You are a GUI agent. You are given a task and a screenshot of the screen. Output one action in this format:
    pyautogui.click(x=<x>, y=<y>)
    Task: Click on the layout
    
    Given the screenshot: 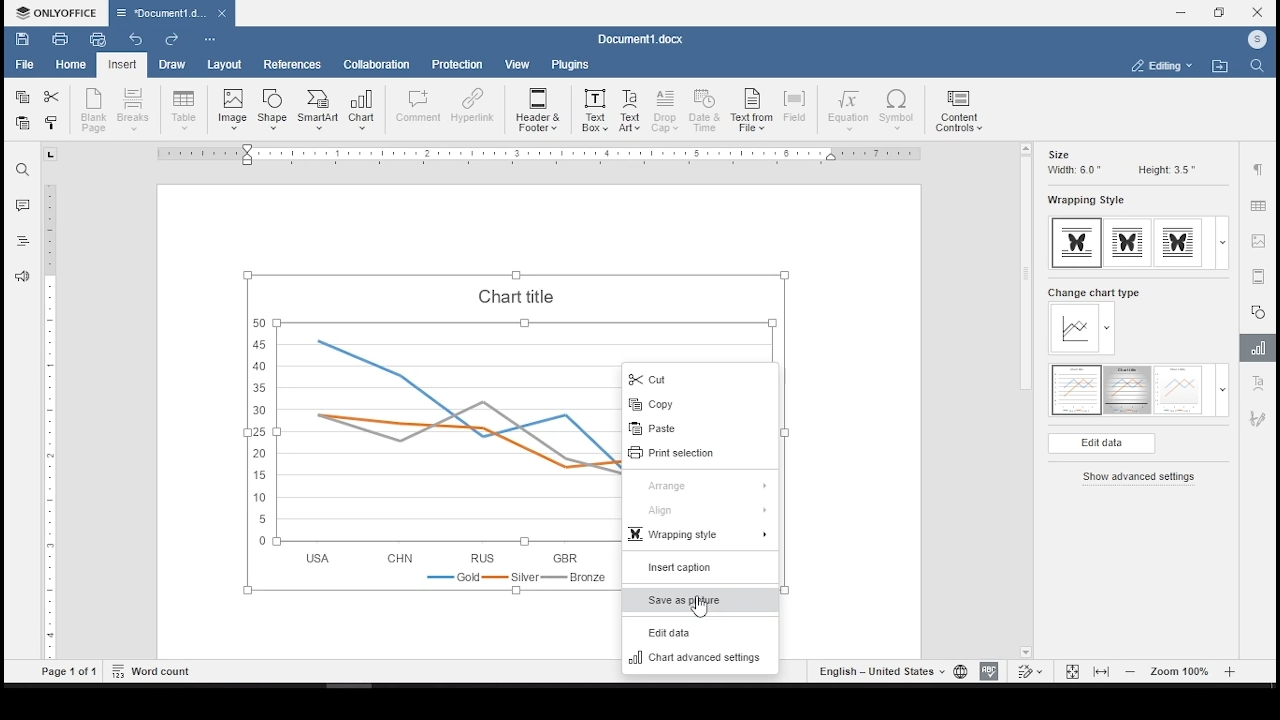 What is the action you would take?
    pyautogui.click(x=223, y=65)
    